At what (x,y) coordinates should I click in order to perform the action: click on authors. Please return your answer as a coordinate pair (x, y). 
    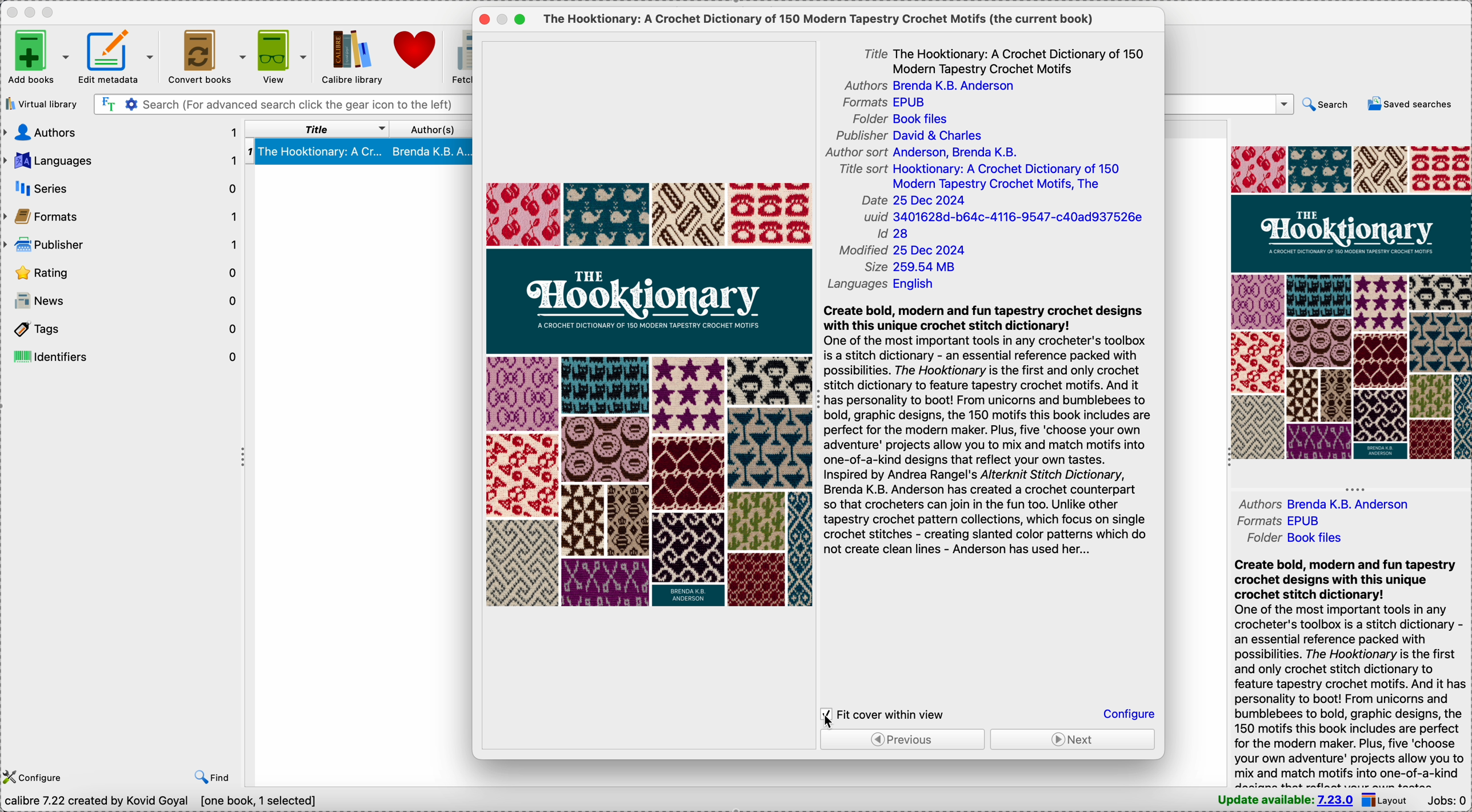
    Looking at the image, I should click on (1324, 503).